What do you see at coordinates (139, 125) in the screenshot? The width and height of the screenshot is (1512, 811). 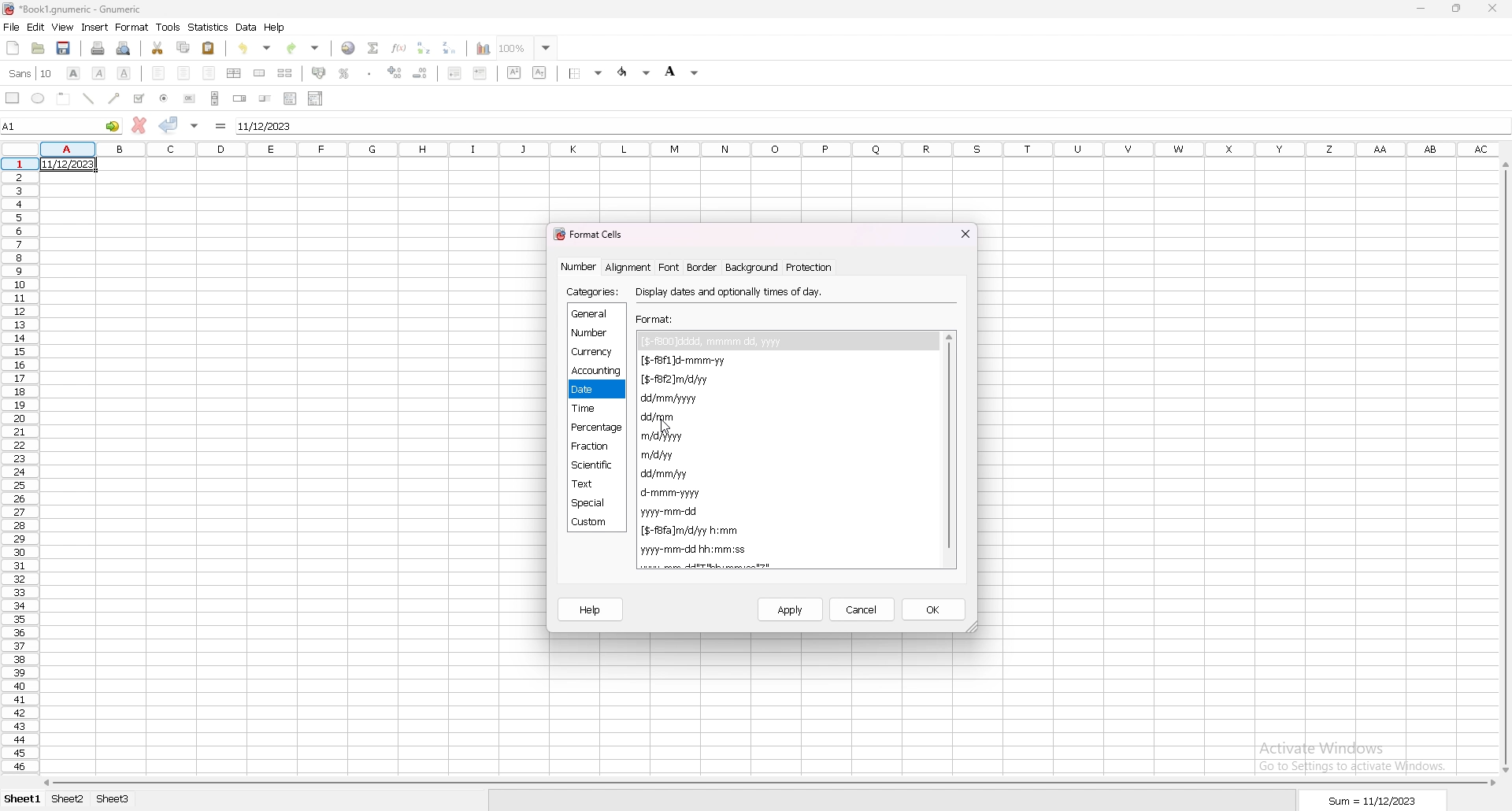 I see `cancel changes` at bounding box center [139, 125].